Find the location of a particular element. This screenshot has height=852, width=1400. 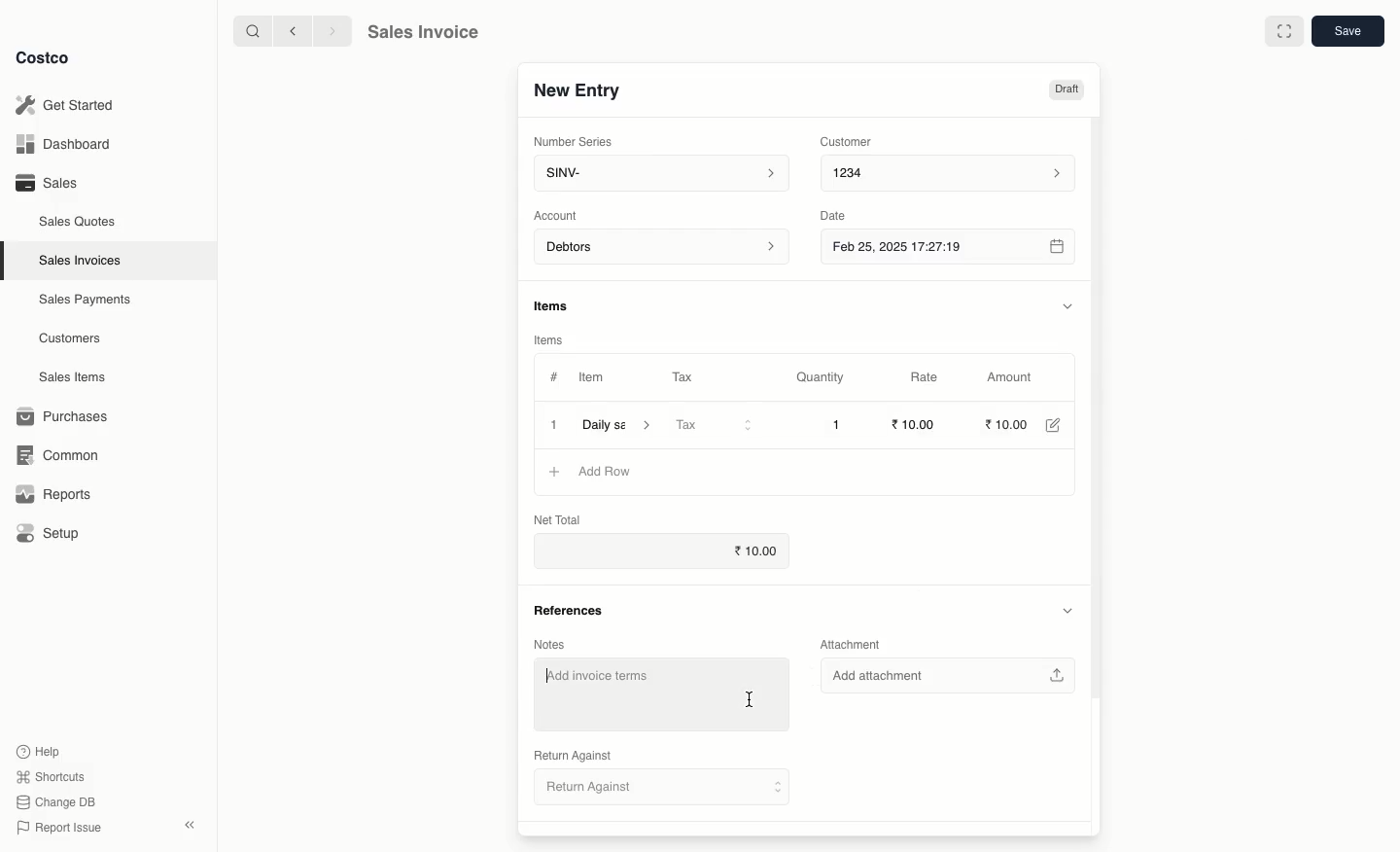

Shortcuts is located at coordinates (52, 775).